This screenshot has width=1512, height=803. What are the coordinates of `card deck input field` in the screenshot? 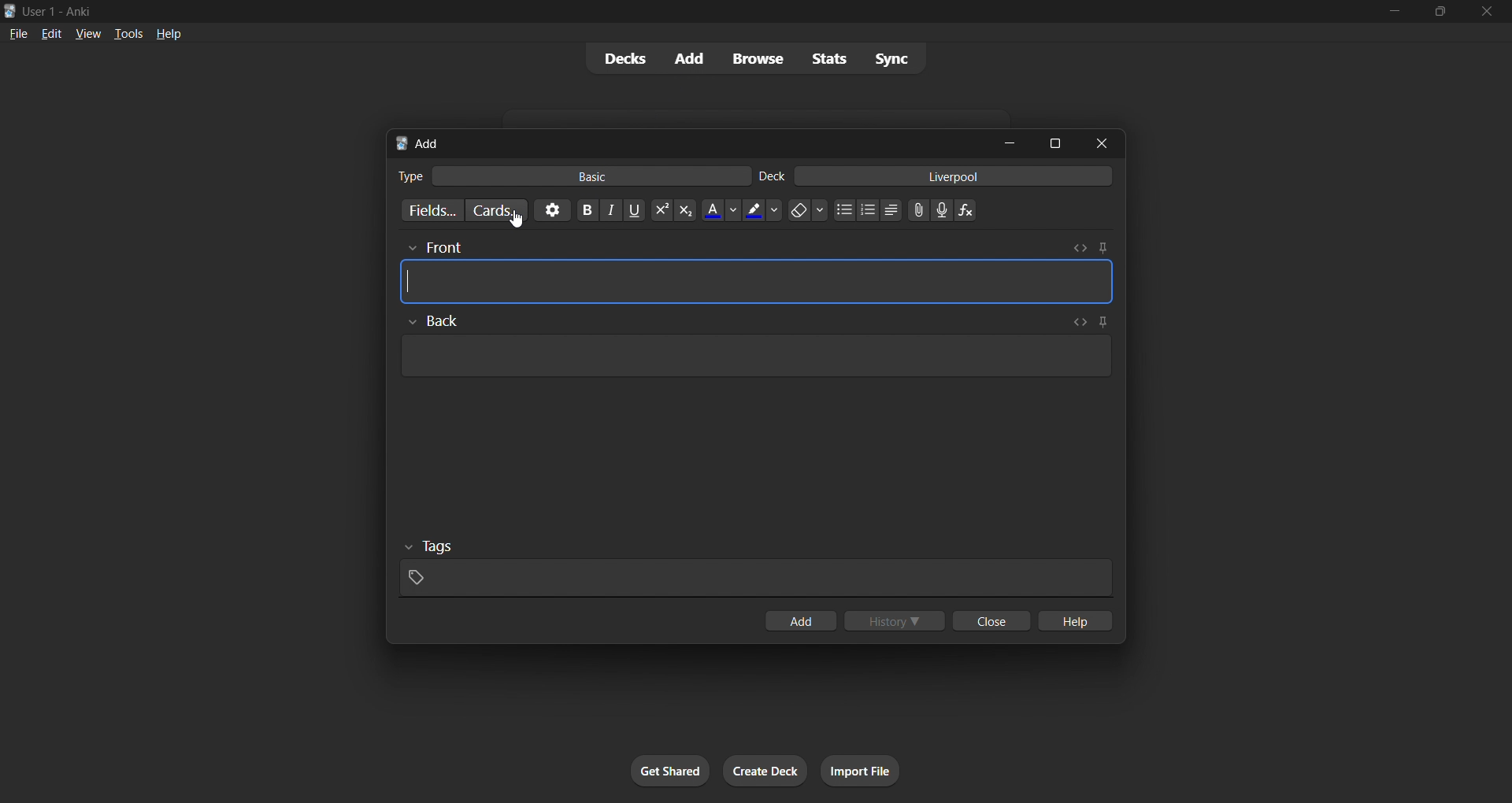 It's located at (939, 176).